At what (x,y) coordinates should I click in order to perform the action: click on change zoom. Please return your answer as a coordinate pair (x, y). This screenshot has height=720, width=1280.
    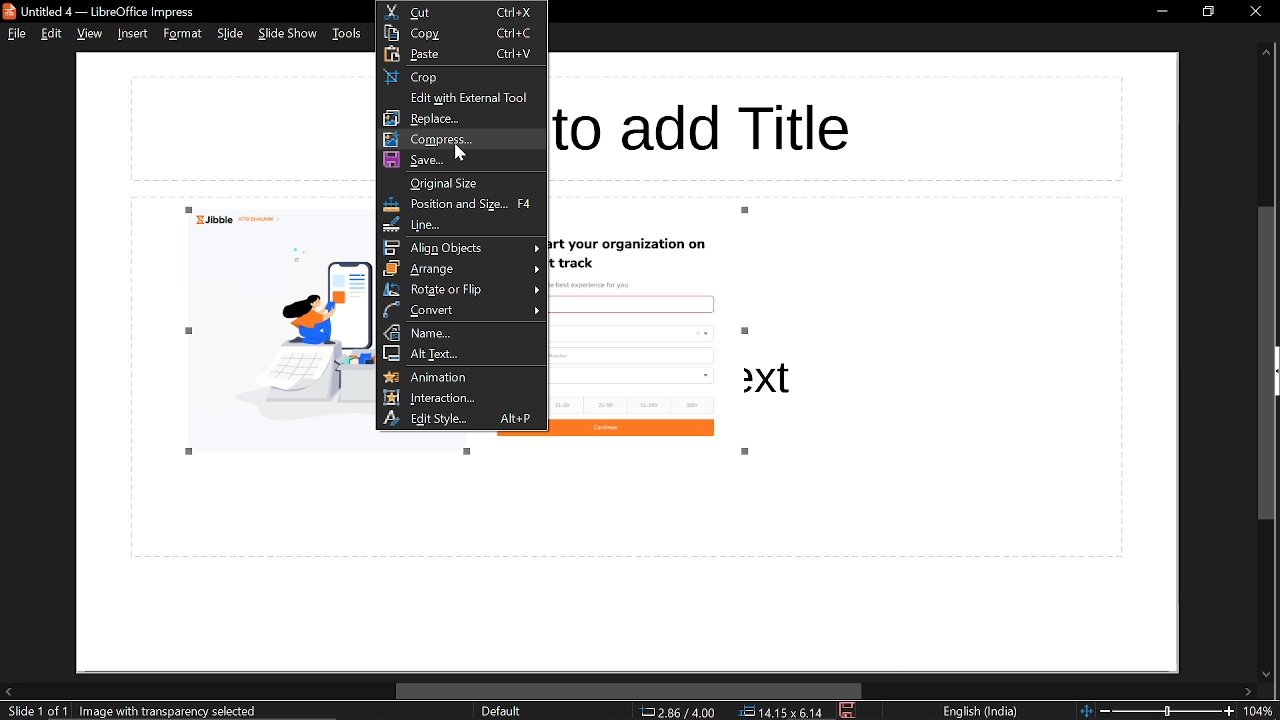
    Looking at the image, I should click on (1157, 711).